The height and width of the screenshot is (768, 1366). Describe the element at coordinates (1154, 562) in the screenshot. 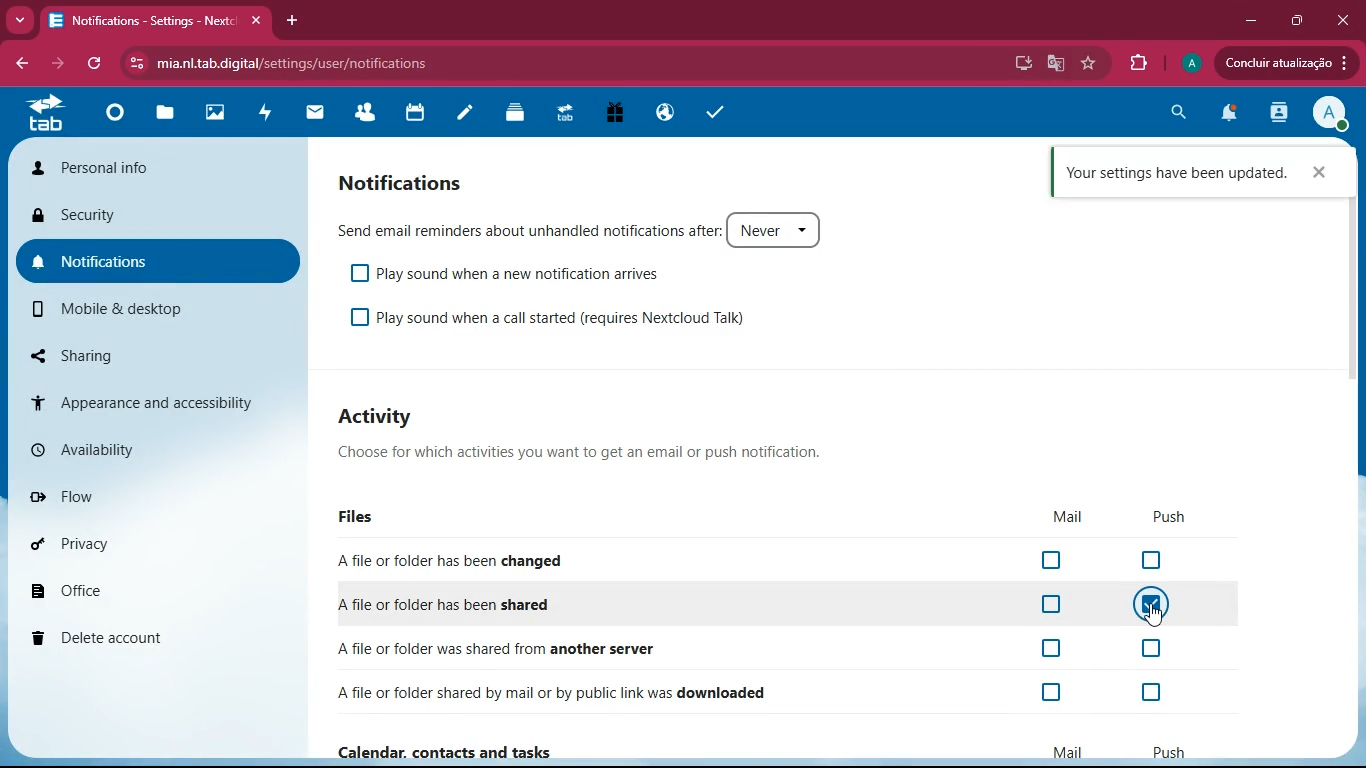

I see `off` at that location.